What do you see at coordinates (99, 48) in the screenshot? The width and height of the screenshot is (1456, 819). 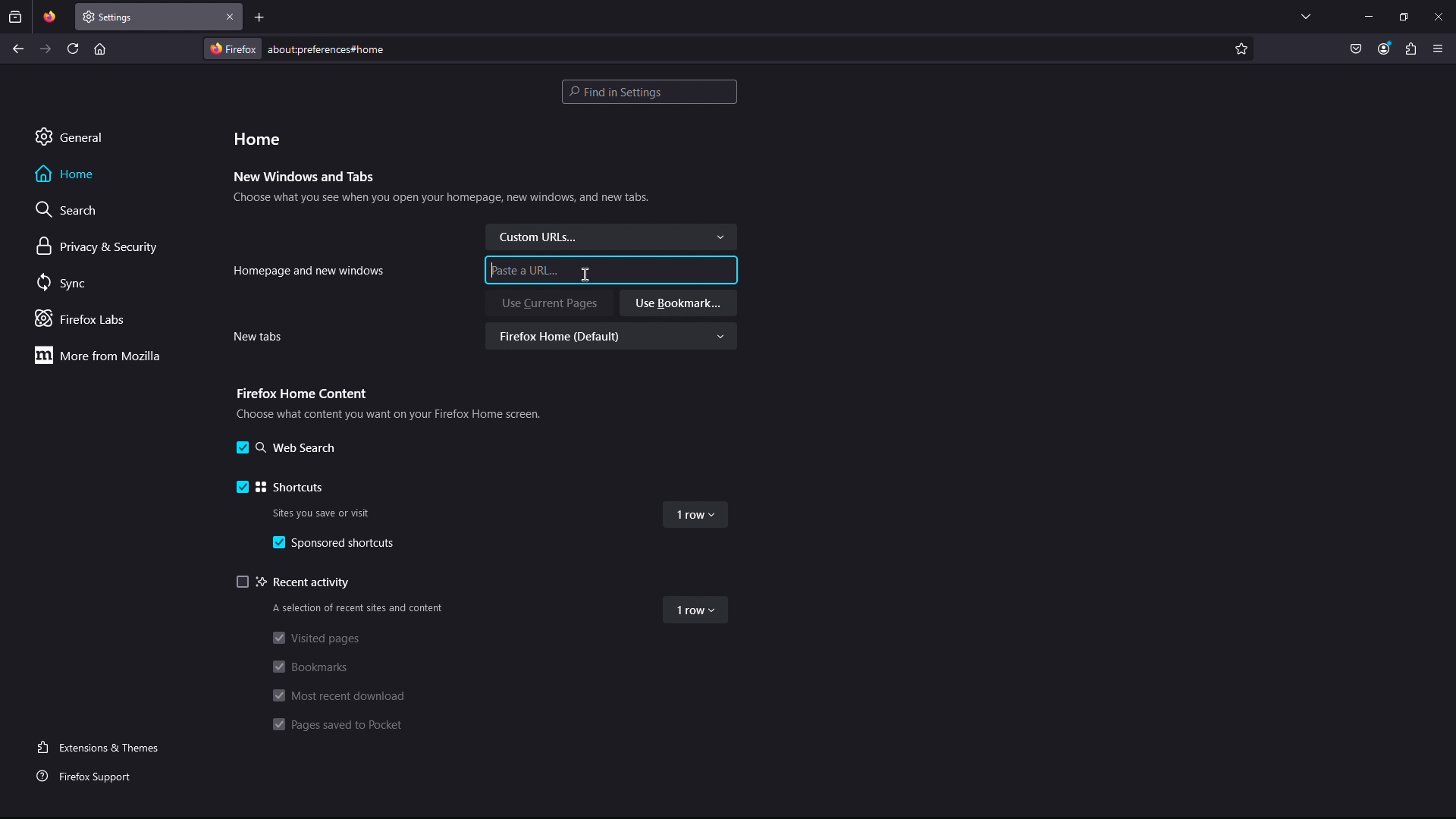 I see `Home page` at bounding box center [99, 48].